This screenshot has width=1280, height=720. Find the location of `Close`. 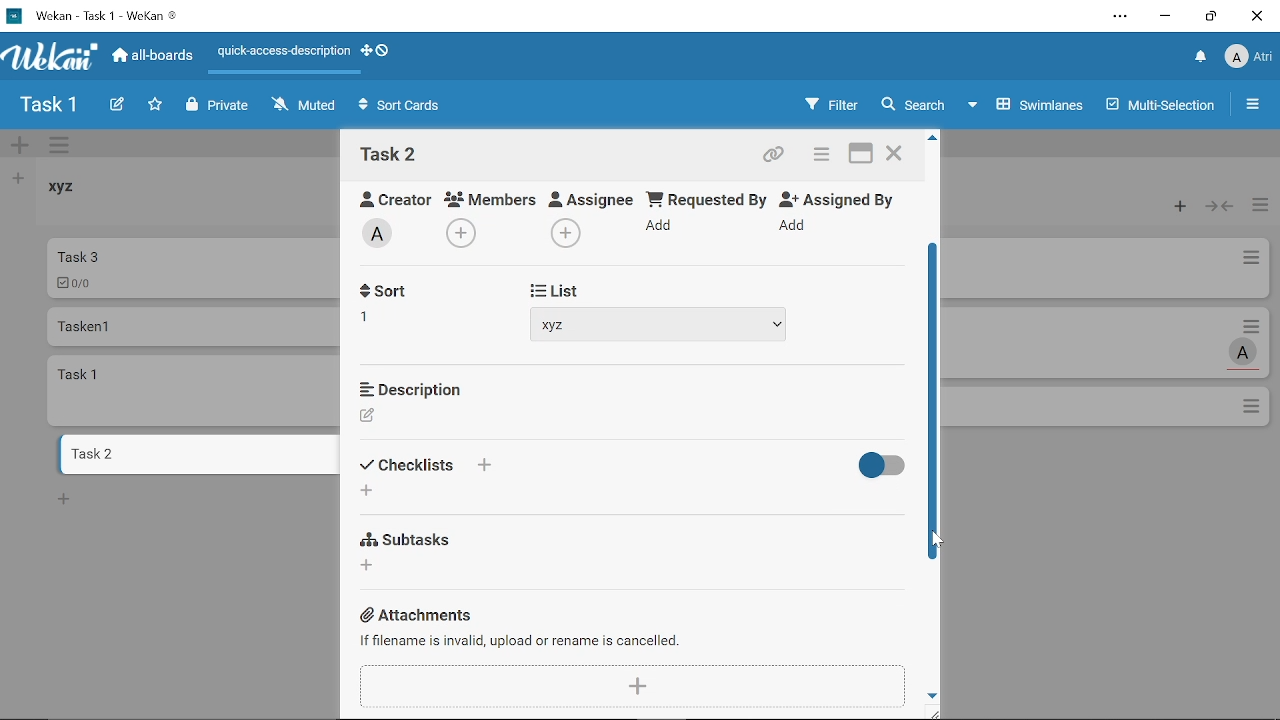

Close is located at coordinates (1256, 16).